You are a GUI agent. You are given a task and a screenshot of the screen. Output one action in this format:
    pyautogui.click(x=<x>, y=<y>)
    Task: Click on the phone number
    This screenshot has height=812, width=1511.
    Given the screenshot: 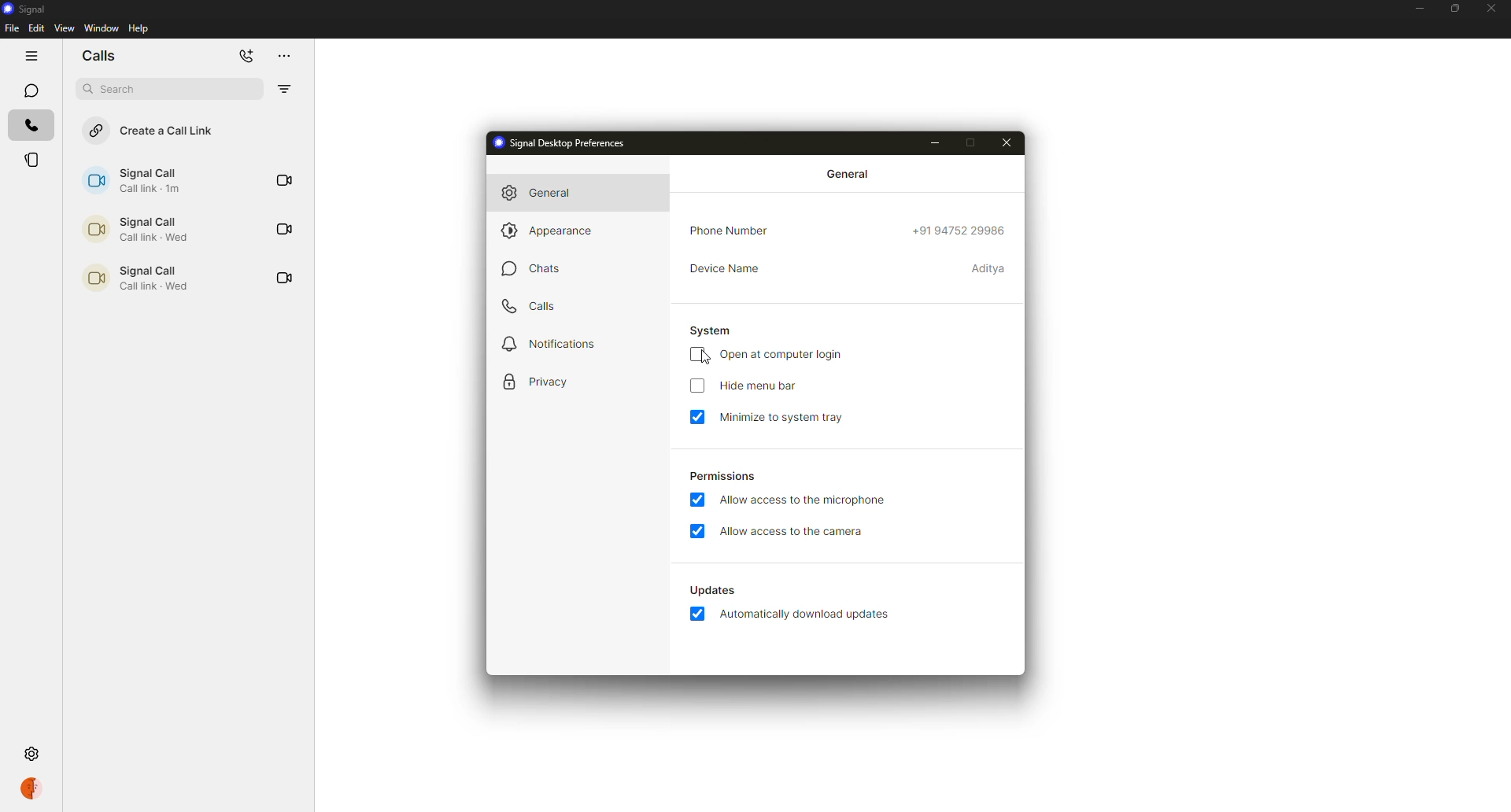 What is the action you would take?
    pyautogui.click(x=729, y=231)
    